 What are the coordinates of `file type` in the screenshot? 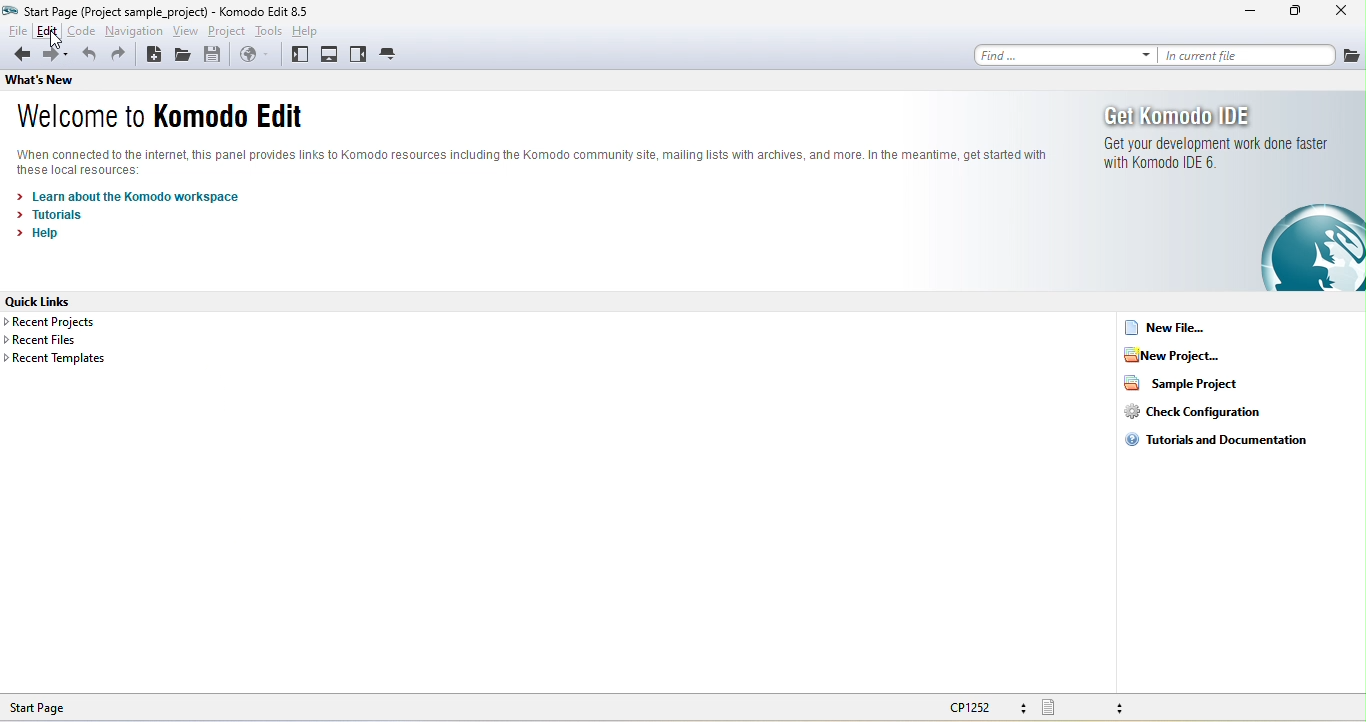 It's located at (1089, 708).